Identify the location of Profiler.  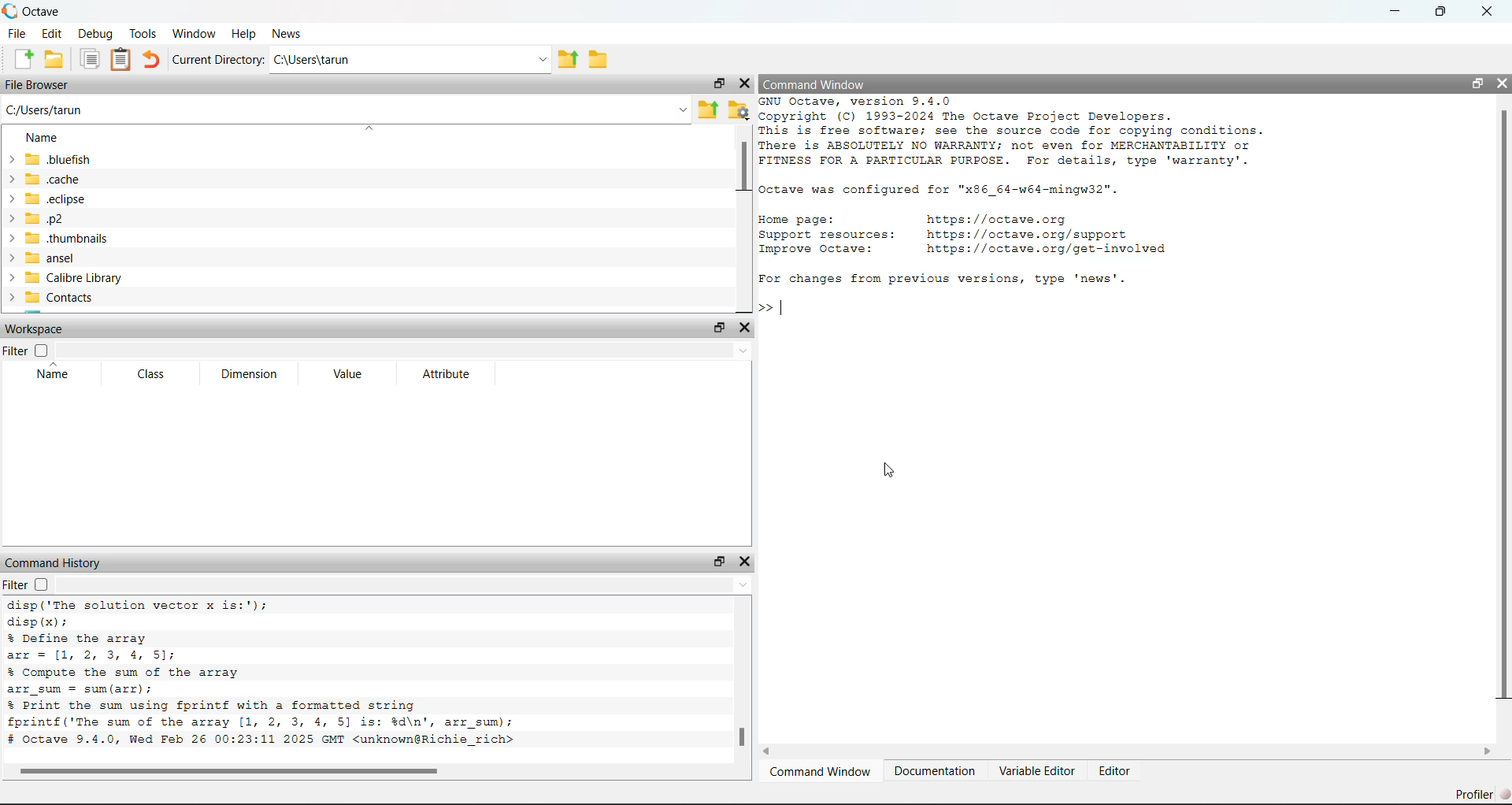
(1479, 794).